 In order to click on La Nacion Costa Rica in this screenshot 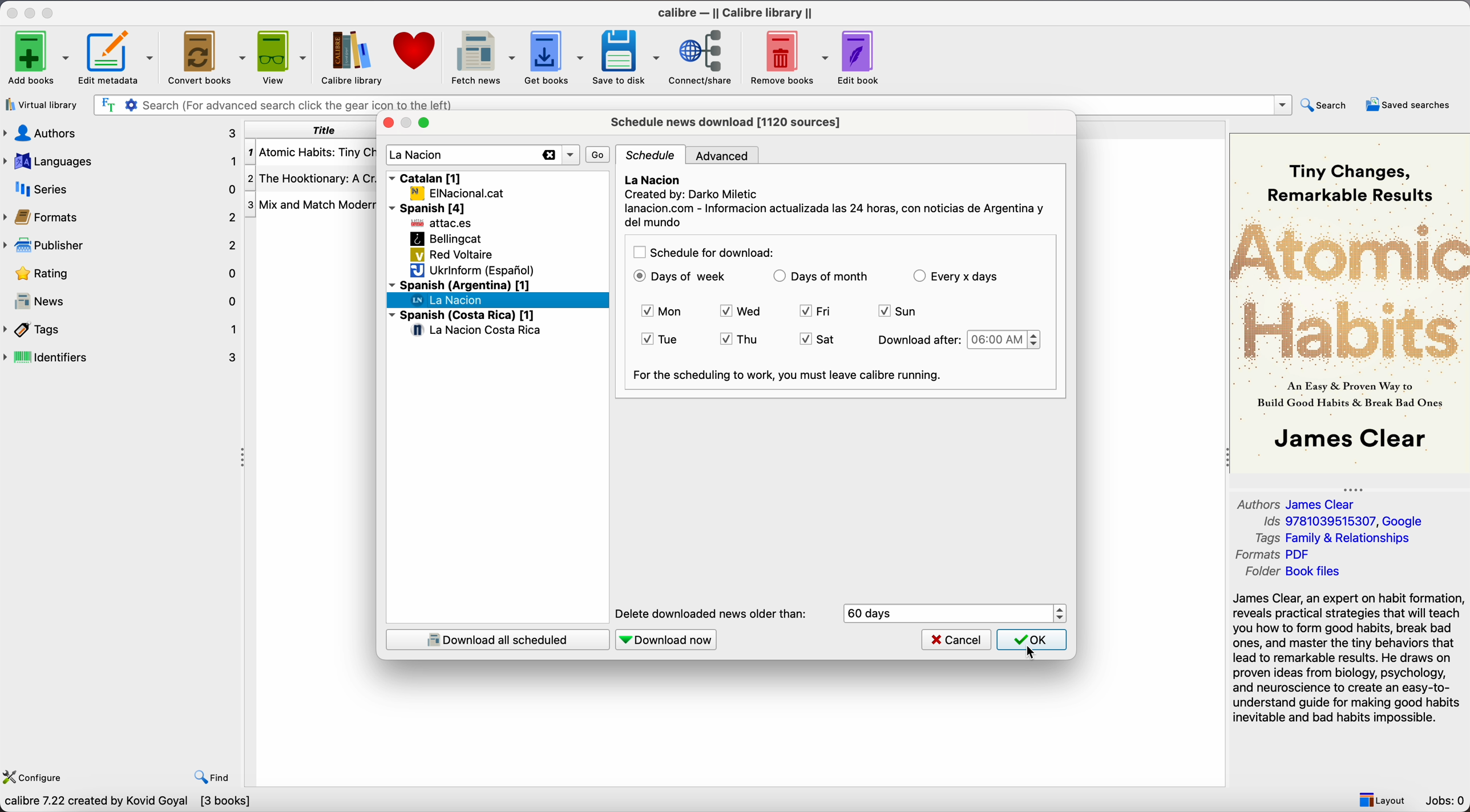, I will do `click(478, 331)`.